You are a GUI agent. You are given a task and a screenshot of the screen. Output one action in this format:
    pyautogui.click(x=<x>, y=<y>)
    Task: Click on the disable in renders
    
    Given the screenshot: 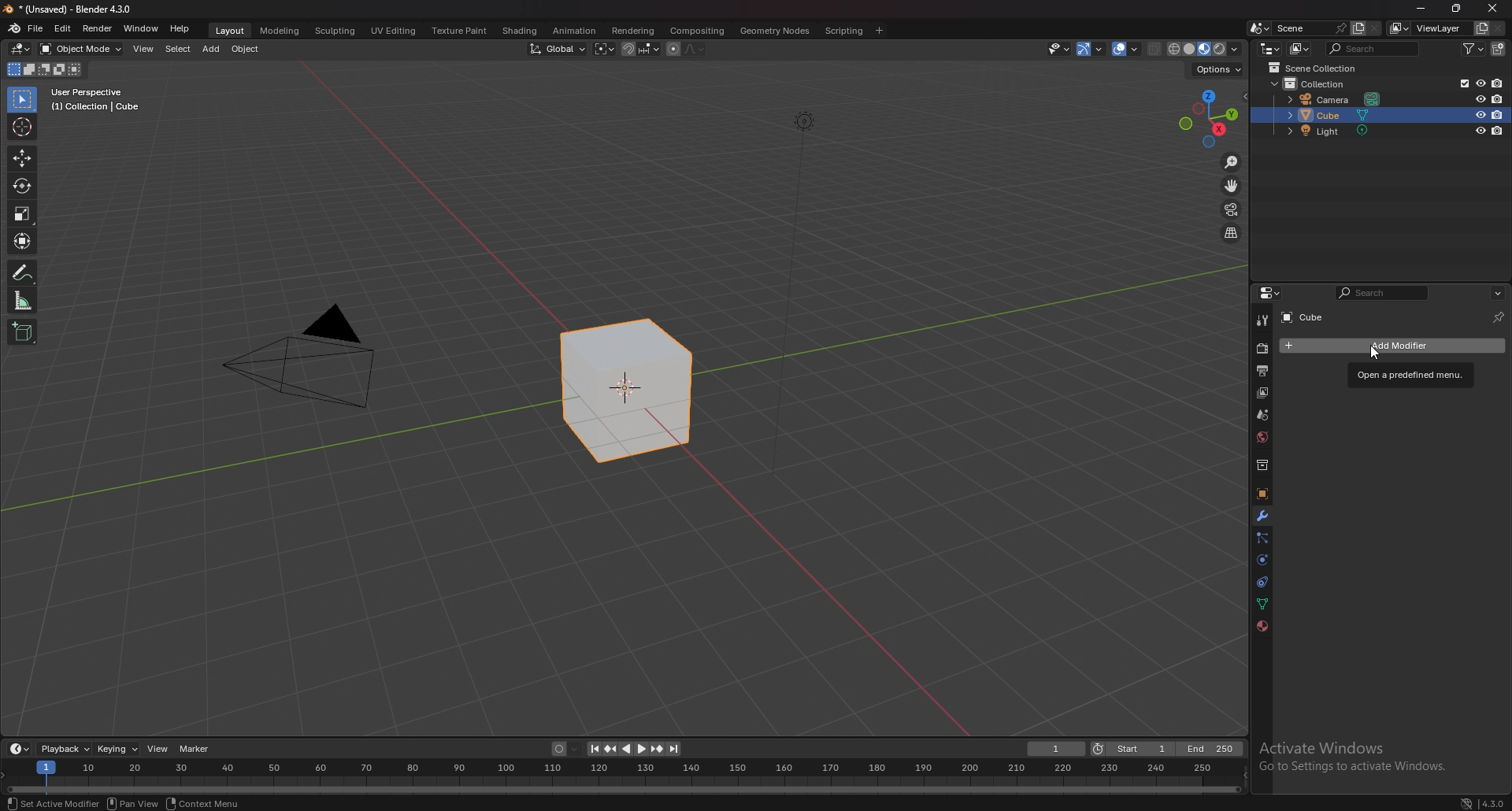 What is the action you would take?
    pyautogui.click(x=1498, y=83)
    